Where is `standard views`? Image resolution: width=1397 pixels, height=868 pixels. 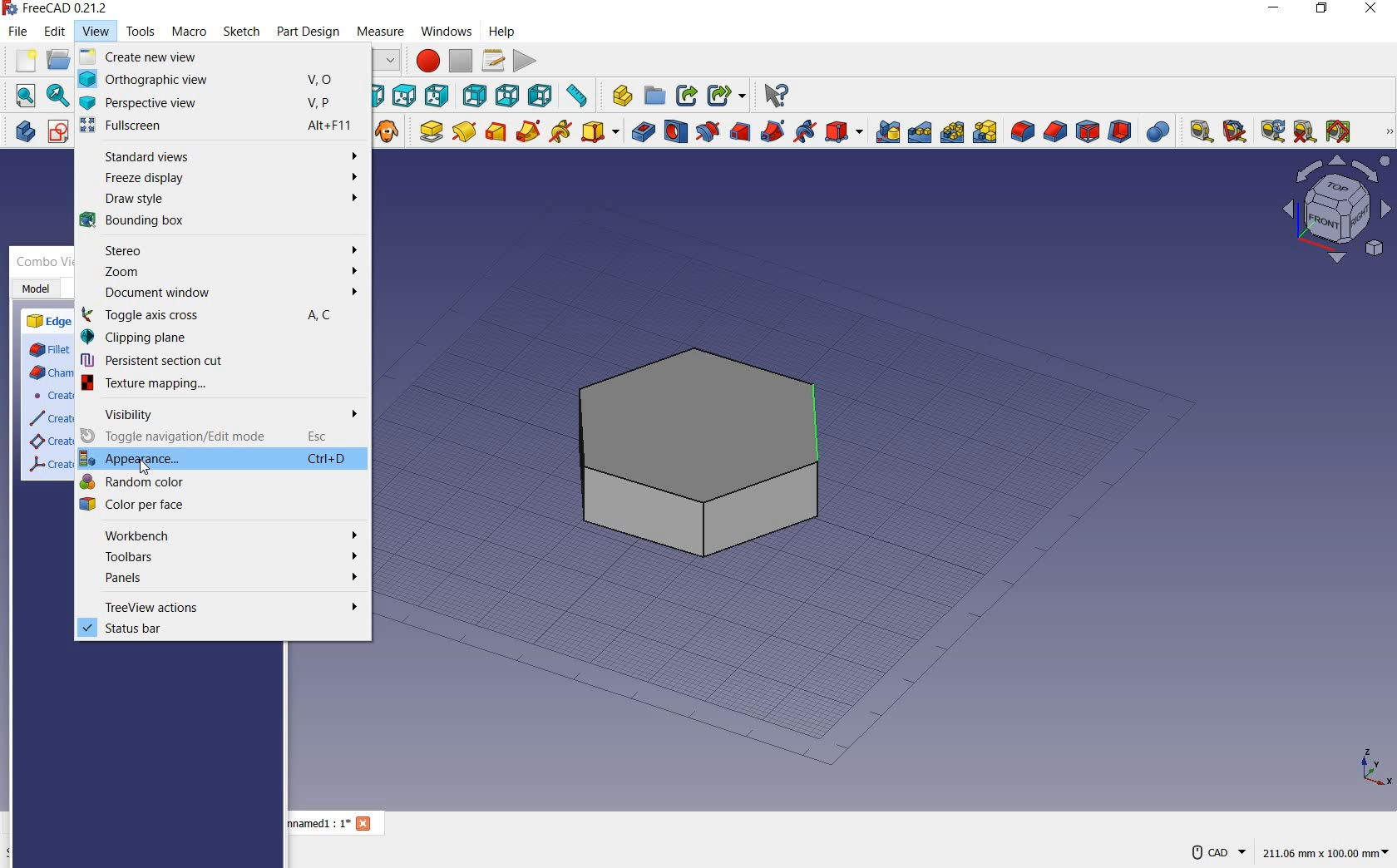 standard views is located at coordinates (220, 155).